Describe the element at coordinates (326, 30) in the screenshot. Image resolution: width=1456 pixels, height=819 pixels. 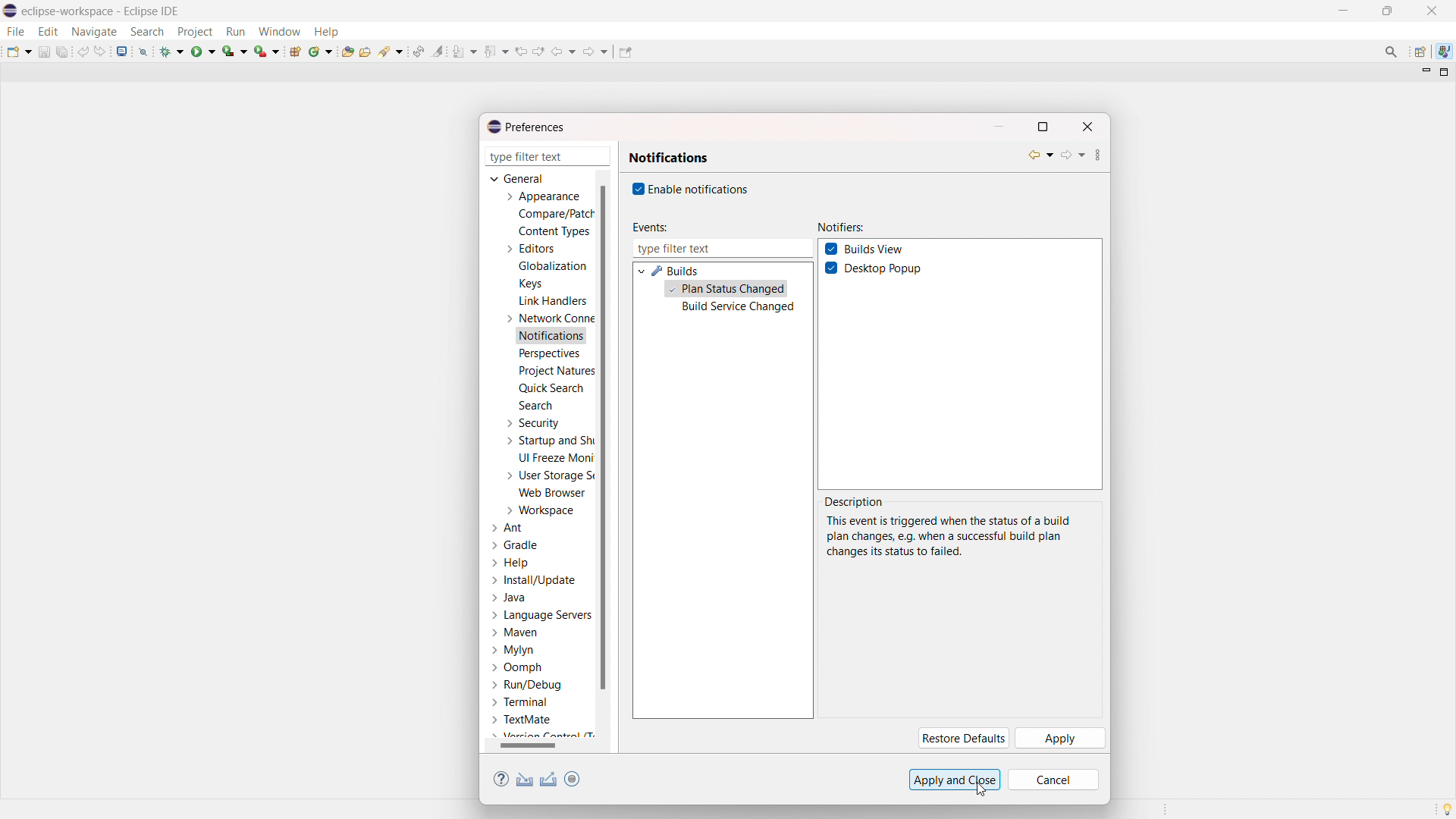
I see `help` at that location.